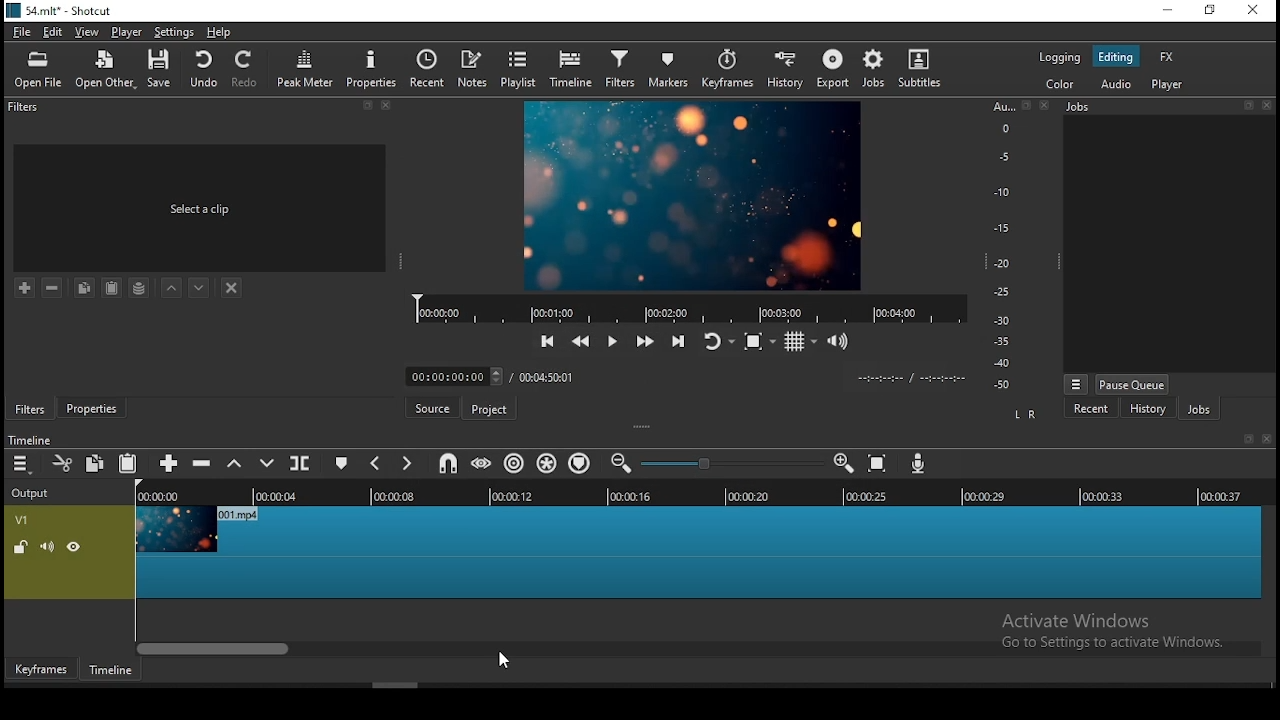  I want to click on 00:00:37, so click(1224, 496).